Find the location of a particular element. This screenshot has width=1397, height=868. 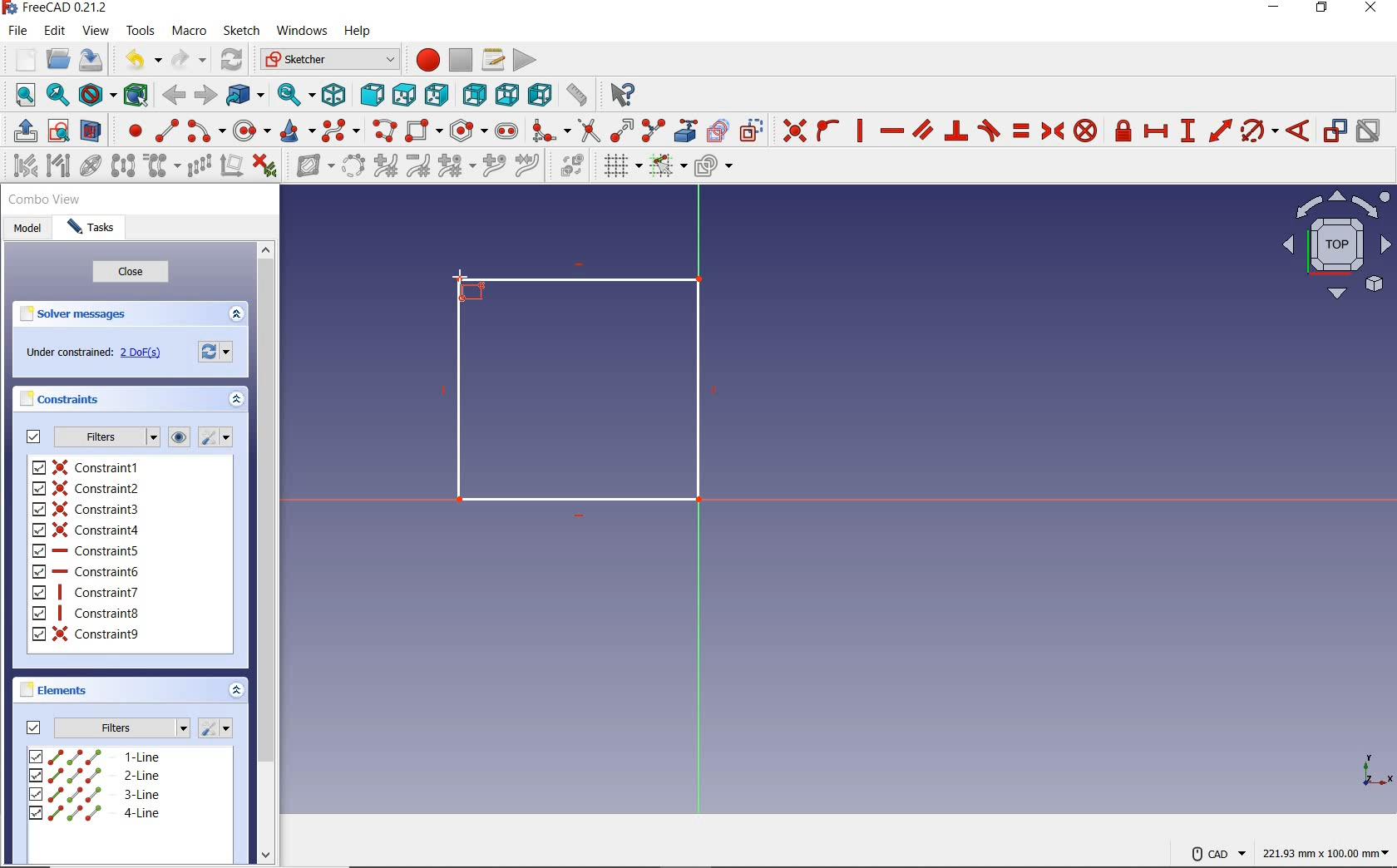

filters is located at coordinates (89, 437).